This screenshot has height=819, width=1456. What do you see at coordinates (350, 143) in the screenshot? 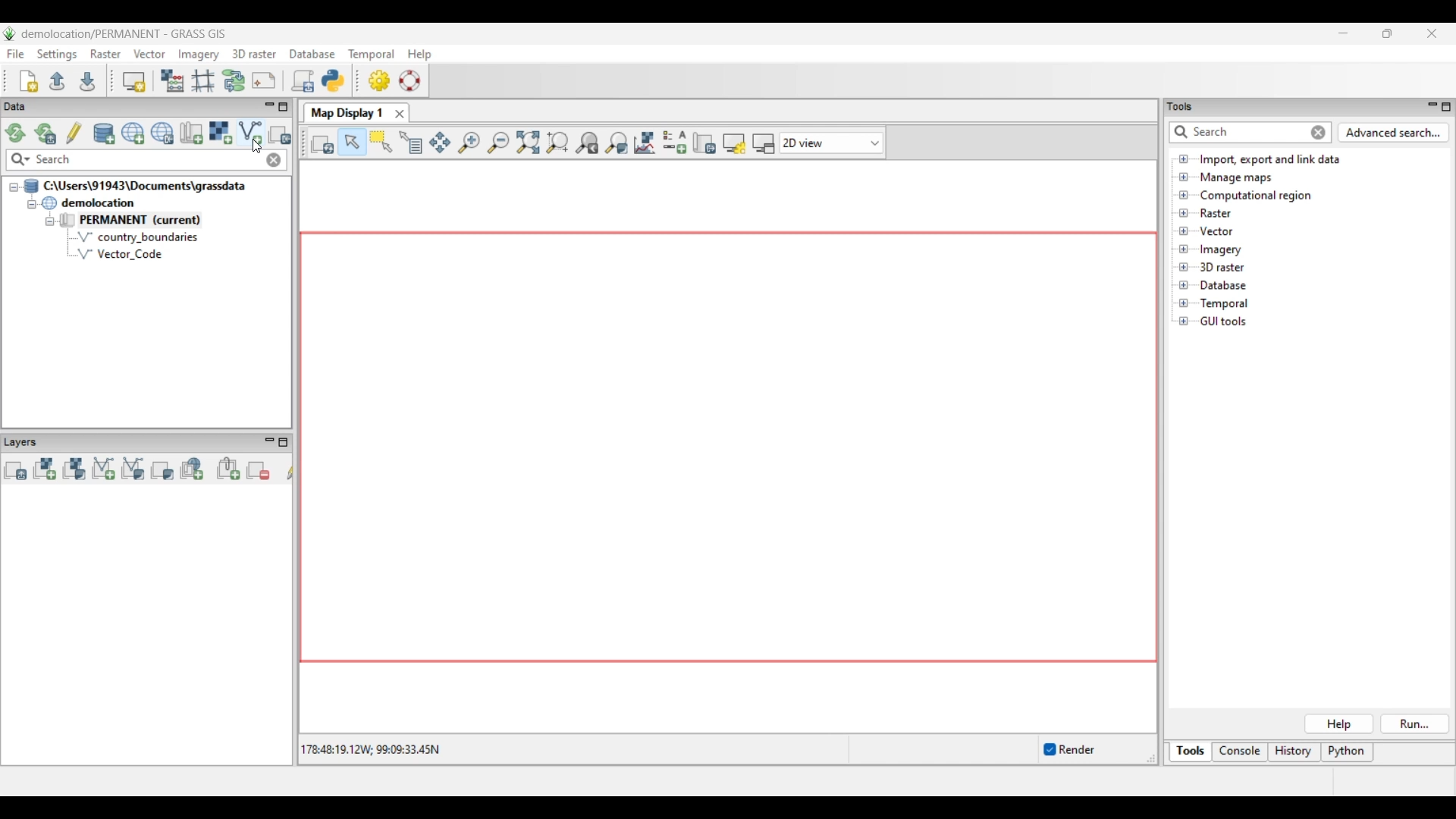
I see `Pointer, current highlighted selection` at bounding box center [350, 143].